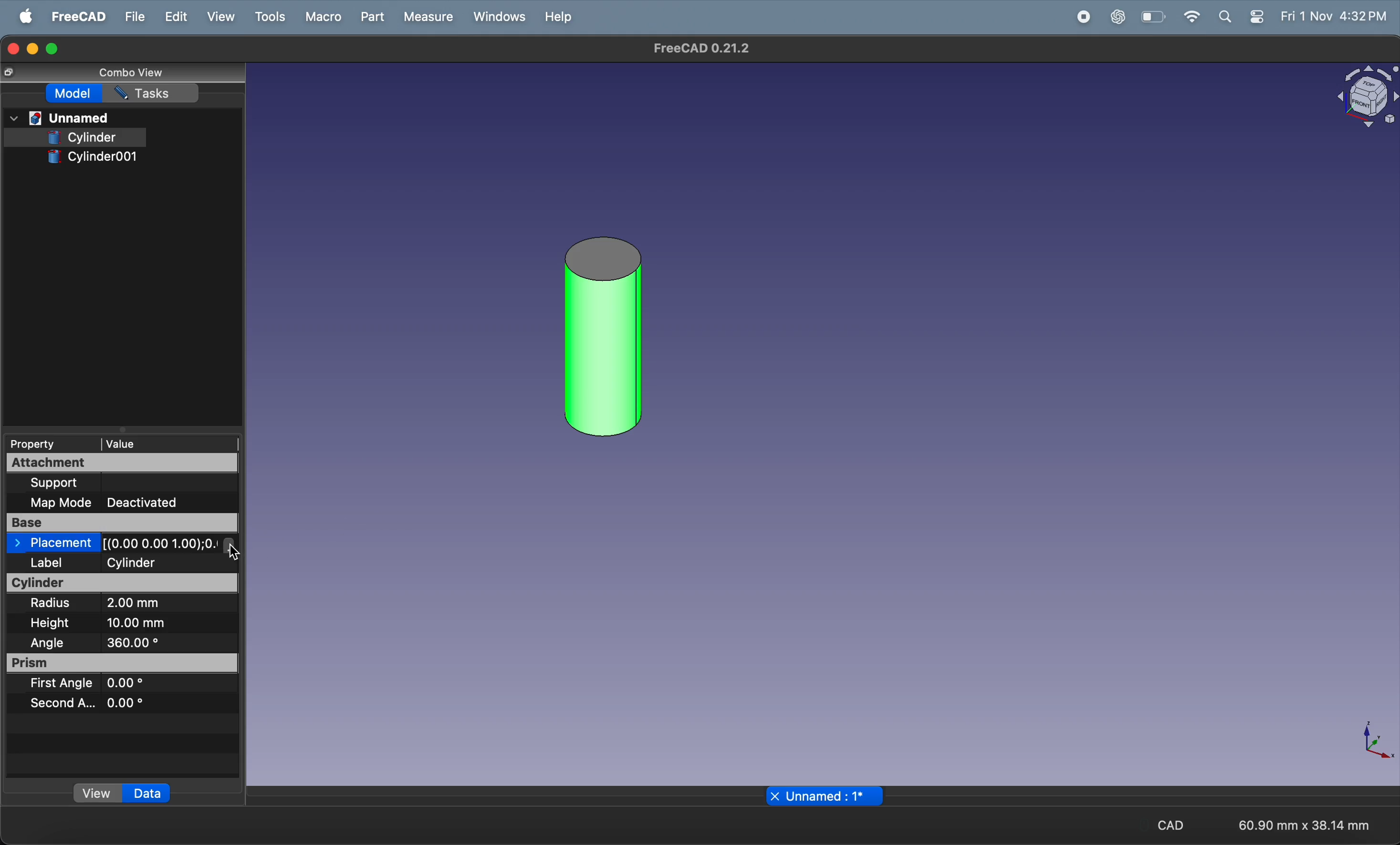 The width and height of the screenshot is (1400, 845). What do you see at coordinates (169, 443) in the screenshot?
I see `value` at bounding box center [169, 443].